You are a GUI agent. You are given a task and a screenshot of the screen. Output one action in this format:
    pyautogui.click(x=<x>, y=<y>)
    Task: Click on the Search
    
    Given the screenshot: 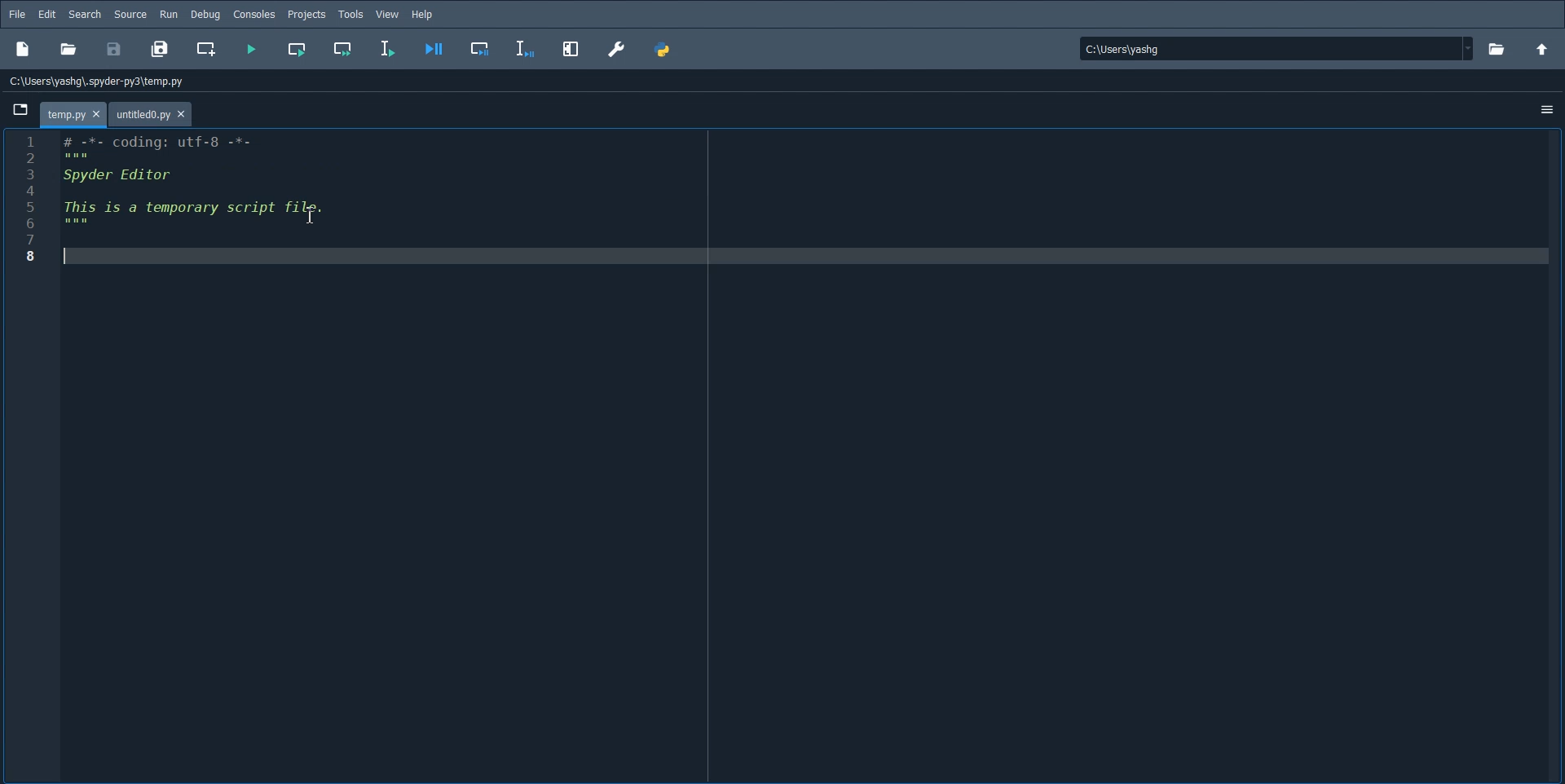 What is the action you would take?
    pyautogui.click(x=86, y=14)
    